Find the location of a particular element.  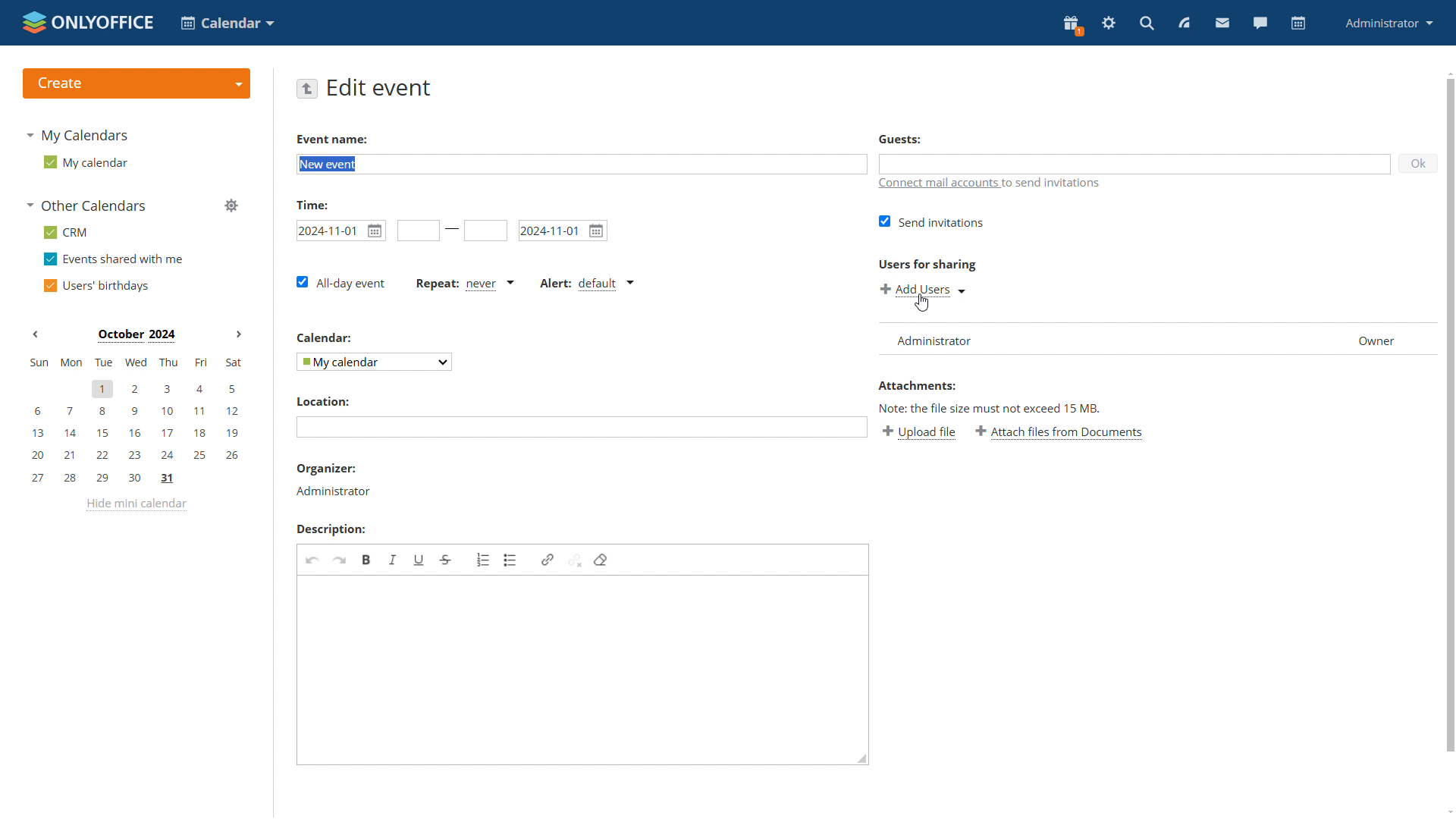

guests is located at coordinates (1135, 164).